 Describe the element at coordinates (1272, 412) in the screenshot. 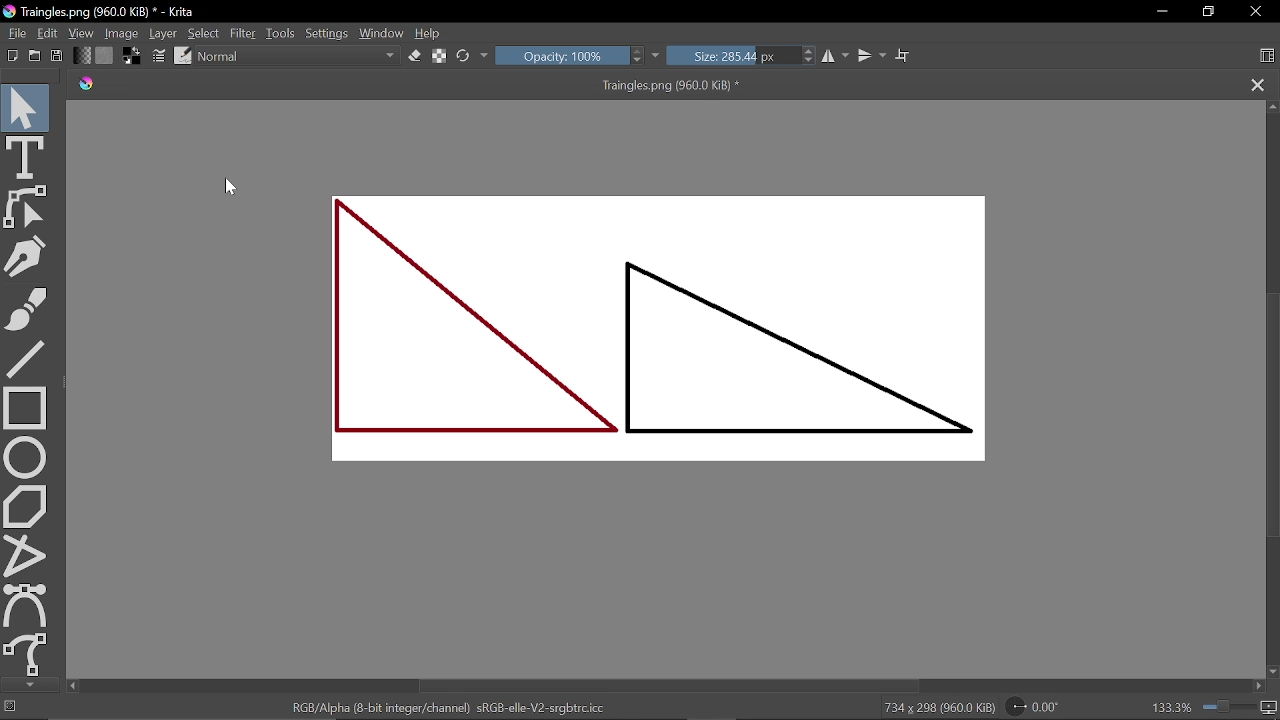

I see `Vertical scrollbar` at that location.